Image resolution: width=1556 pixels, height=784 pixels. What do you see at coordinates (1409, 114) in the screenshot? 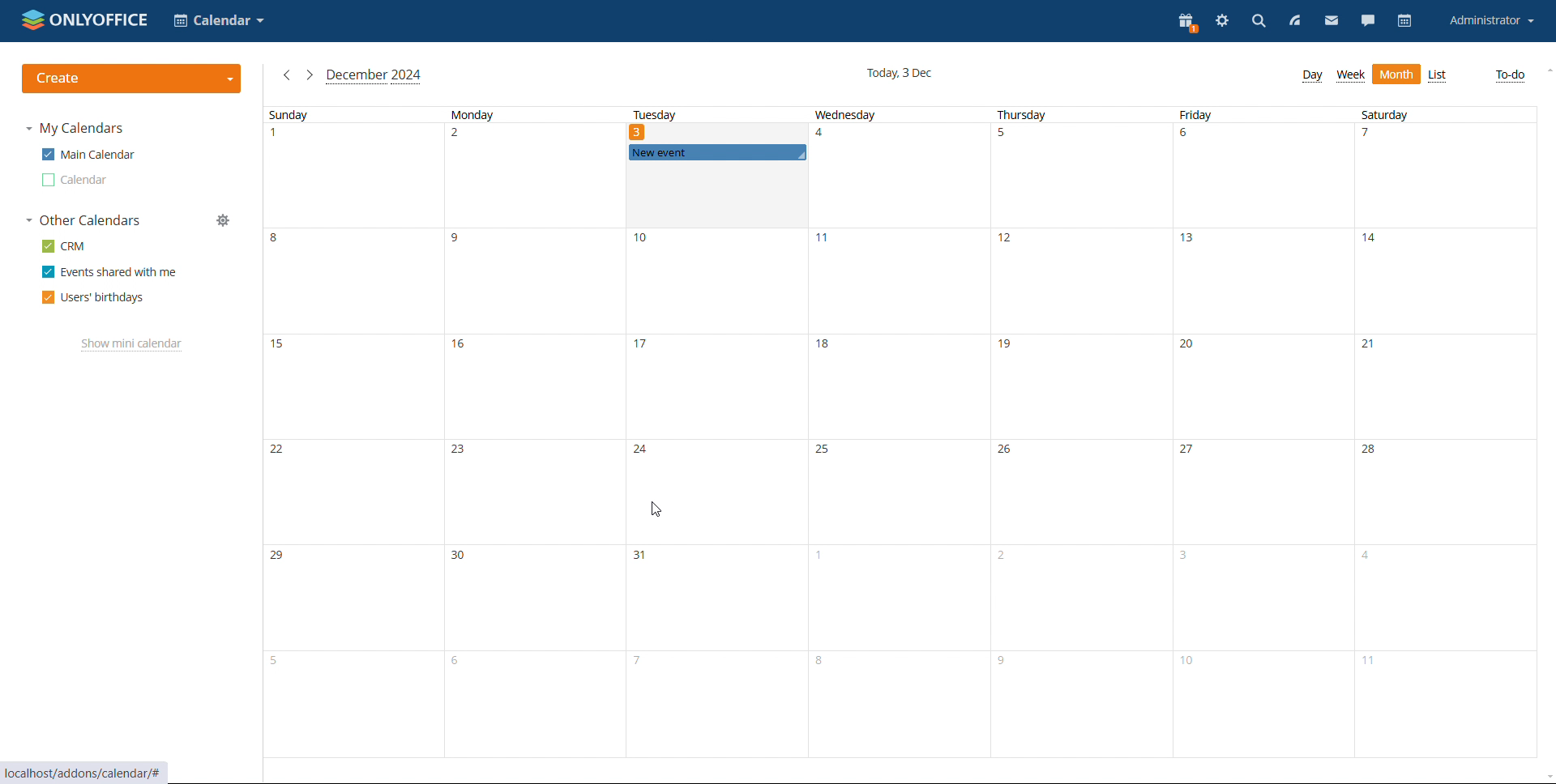
I see `Saturday` at bounding box center [1409, 114].